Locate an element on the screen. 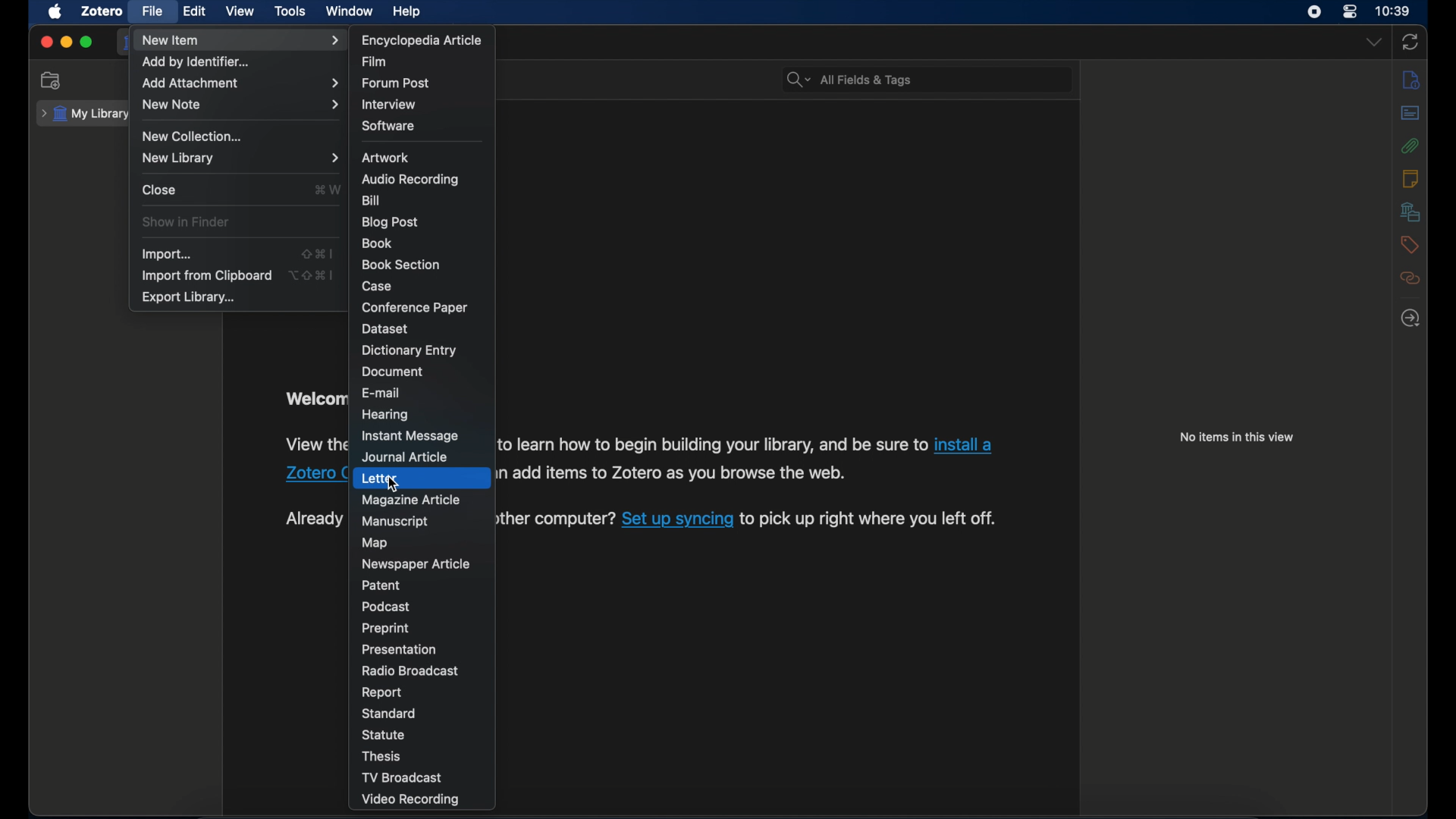 The image size is (1456, 819). video recording is located at coordinates (427, 799).